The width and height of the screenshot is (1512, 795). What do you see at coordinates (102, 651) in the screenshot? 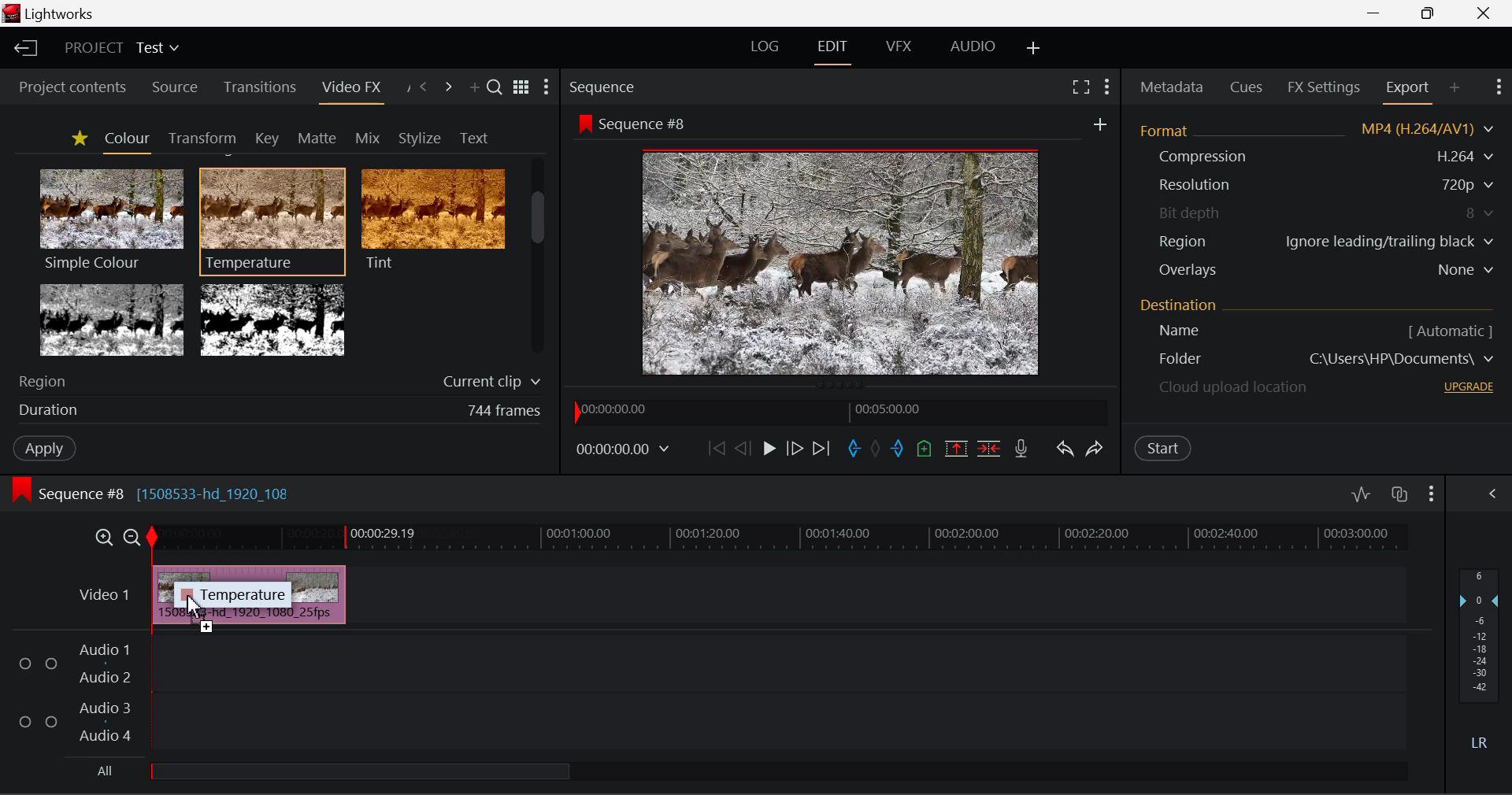
I see `Audio 1` at bounding box center [102, 651].